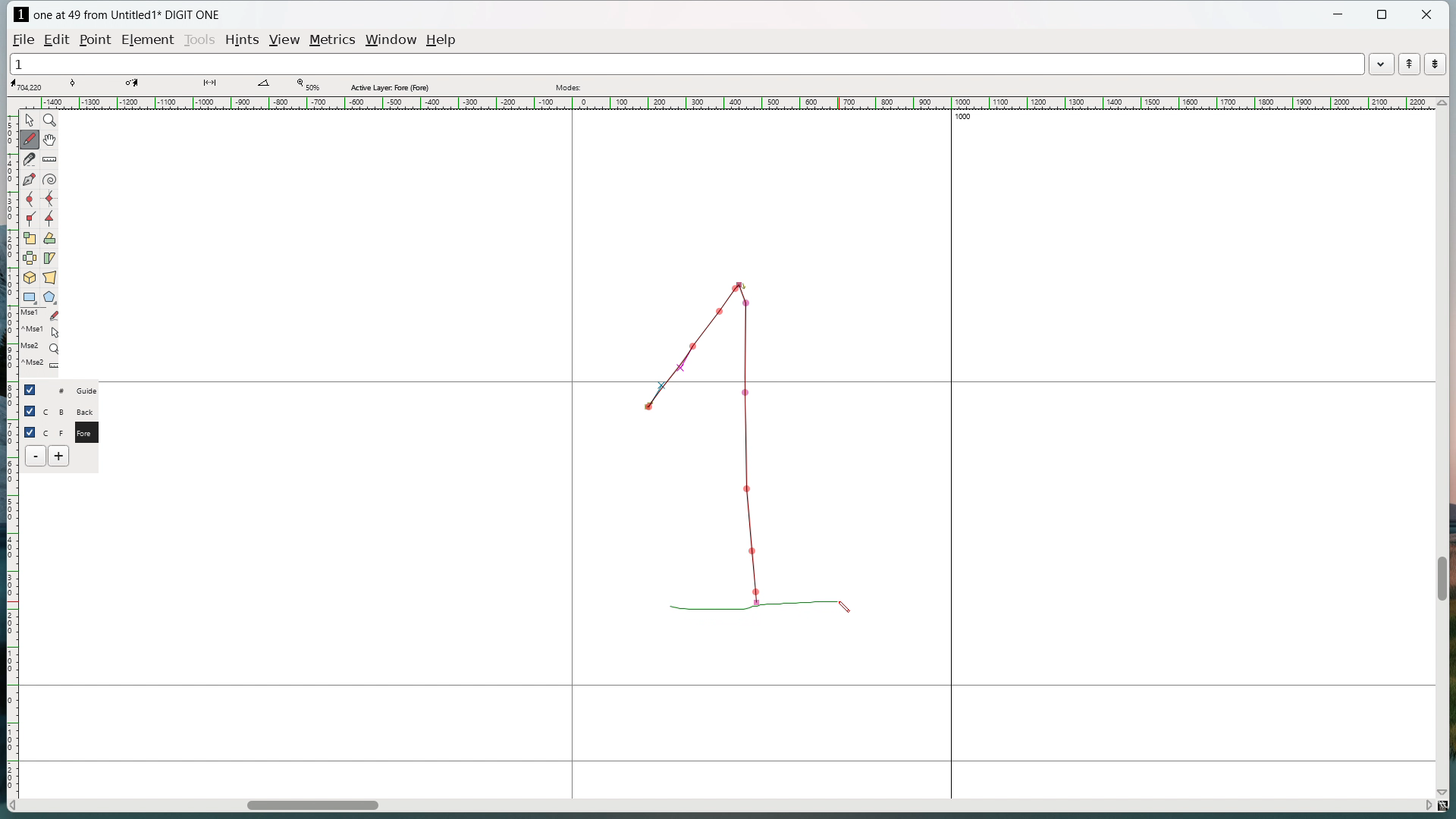  Describe the element at coordinates (49, 218) in the screenshot. I see `add a tangent point` at that location.